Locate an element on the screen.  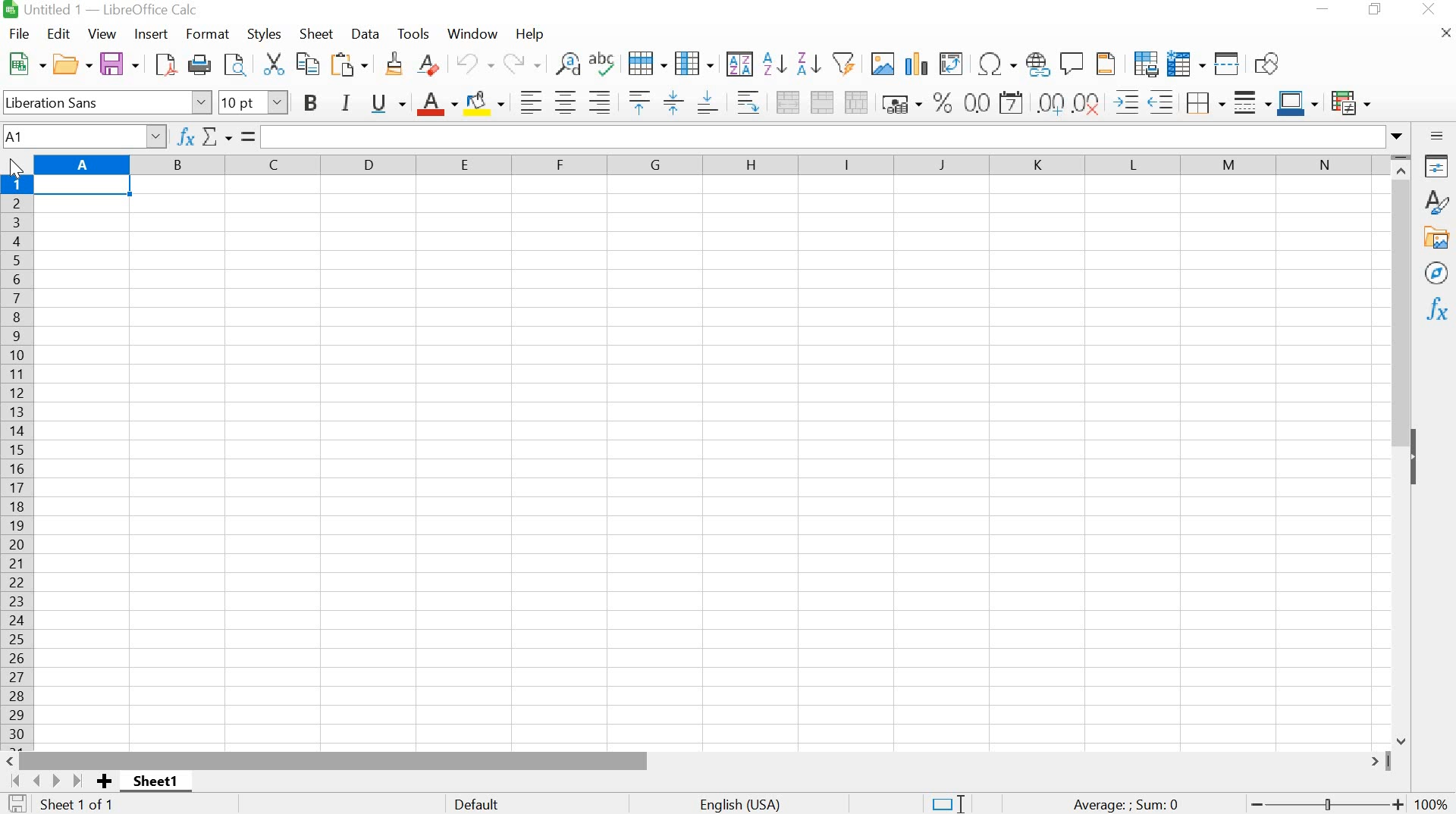
HELP is located at coordinates (531, 33).